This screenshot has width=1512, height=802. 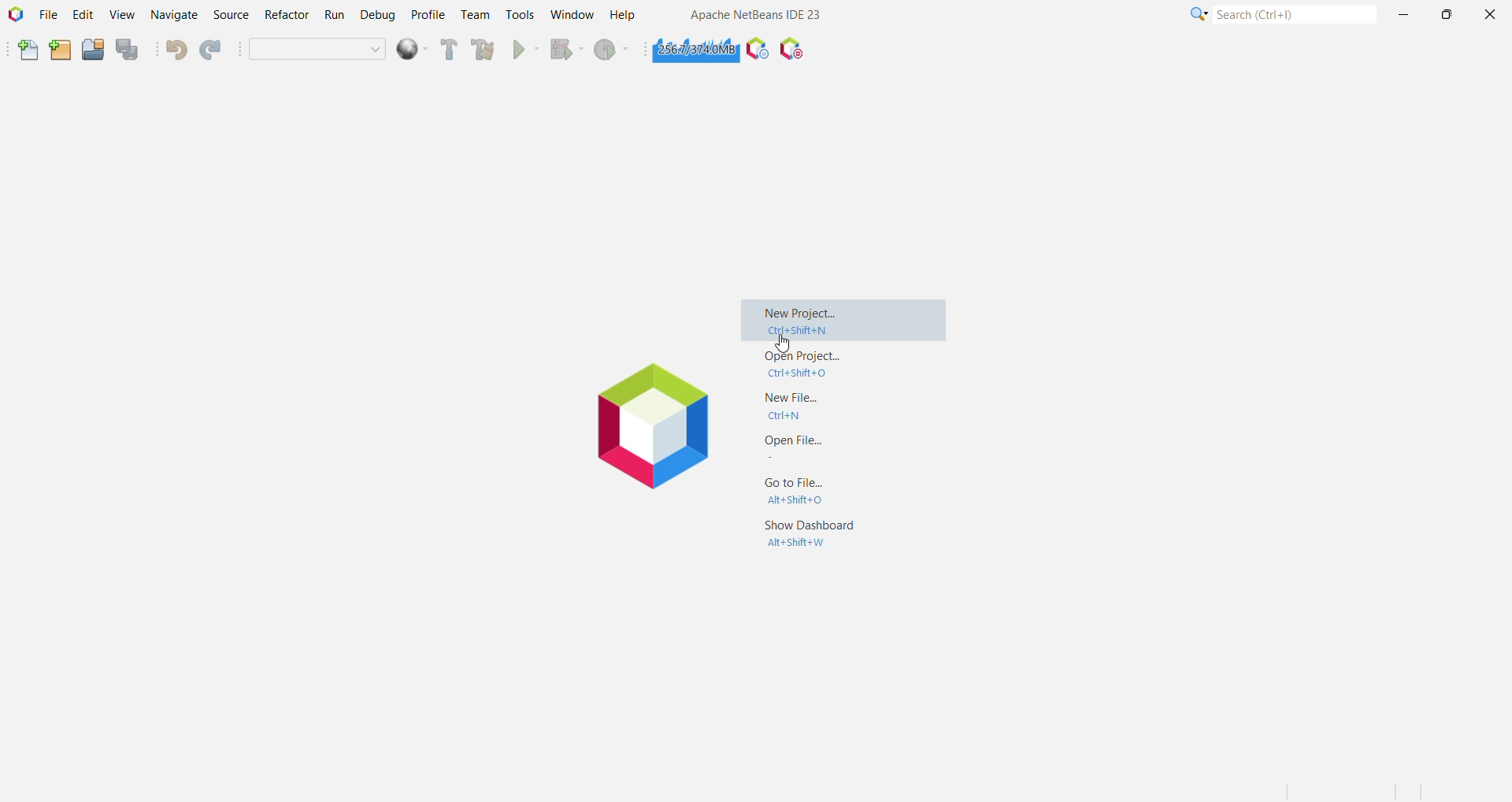 I want to click on Team, so click(x=475, y=16).